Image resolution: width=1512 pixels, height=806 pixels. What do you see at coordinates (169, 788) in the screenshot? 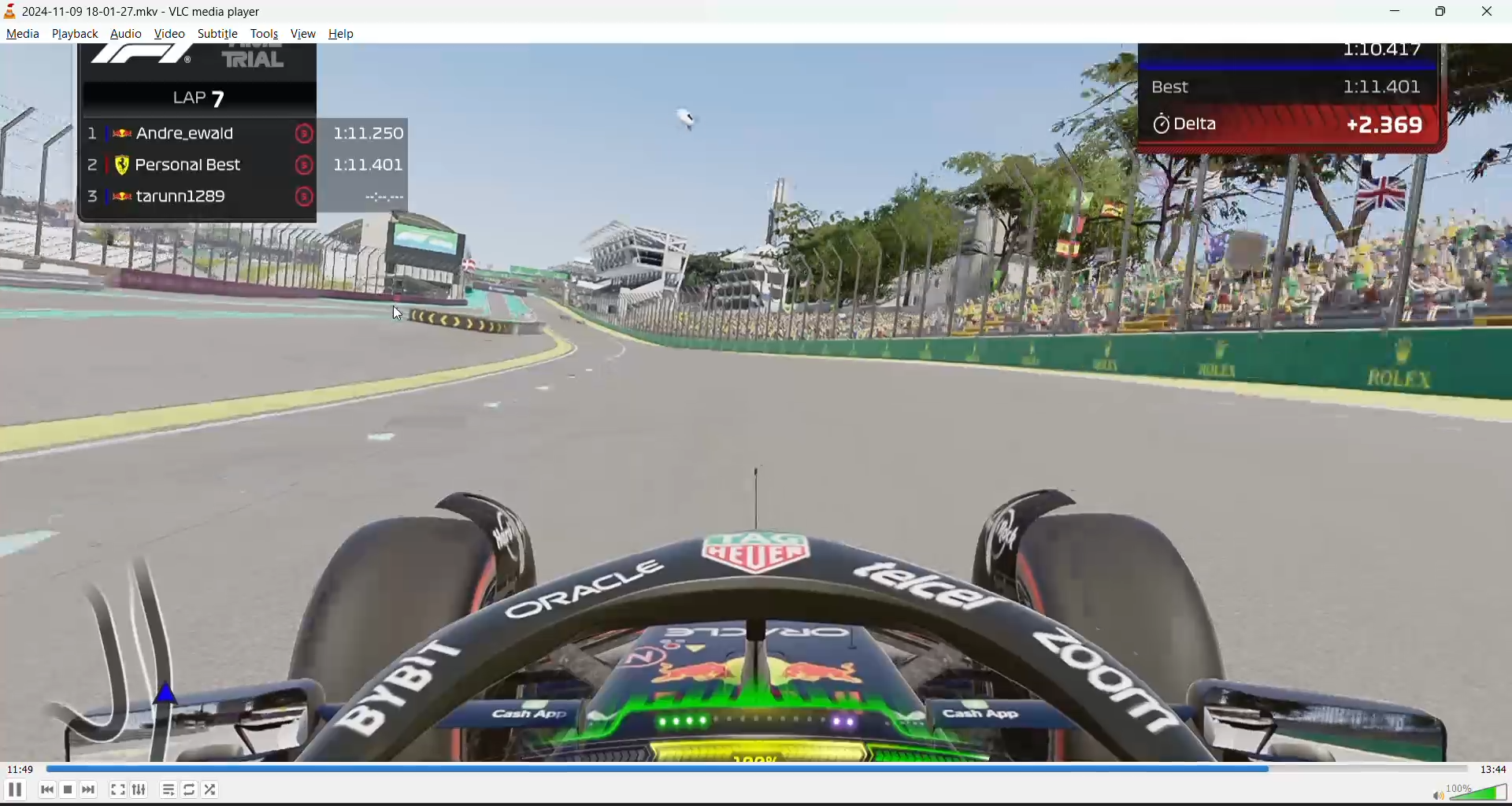
I see `playlists` at bounding box center [169, 788].